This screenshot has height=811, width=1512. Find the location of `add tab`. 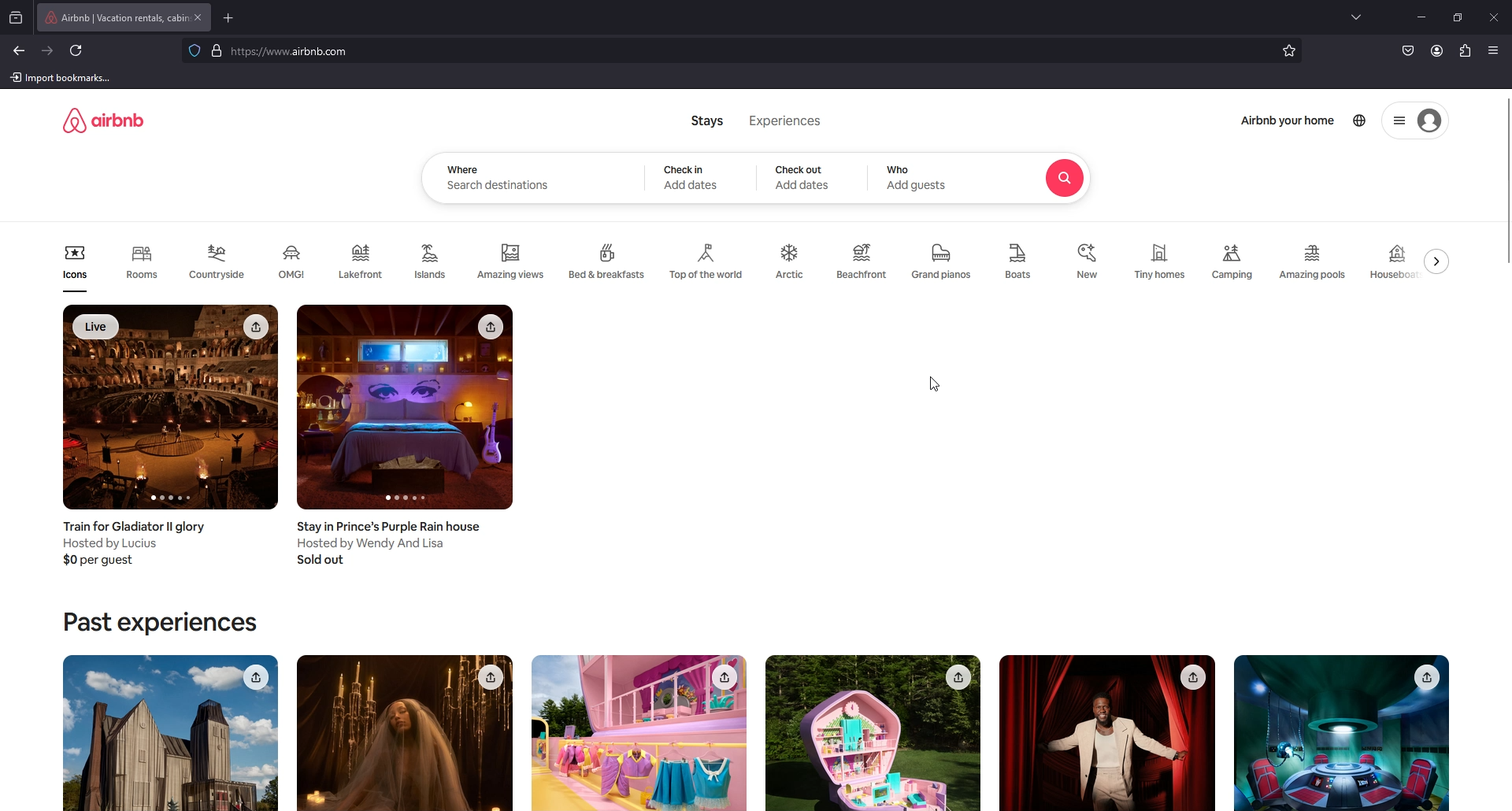

add tab is located at coordinates (231, 17).